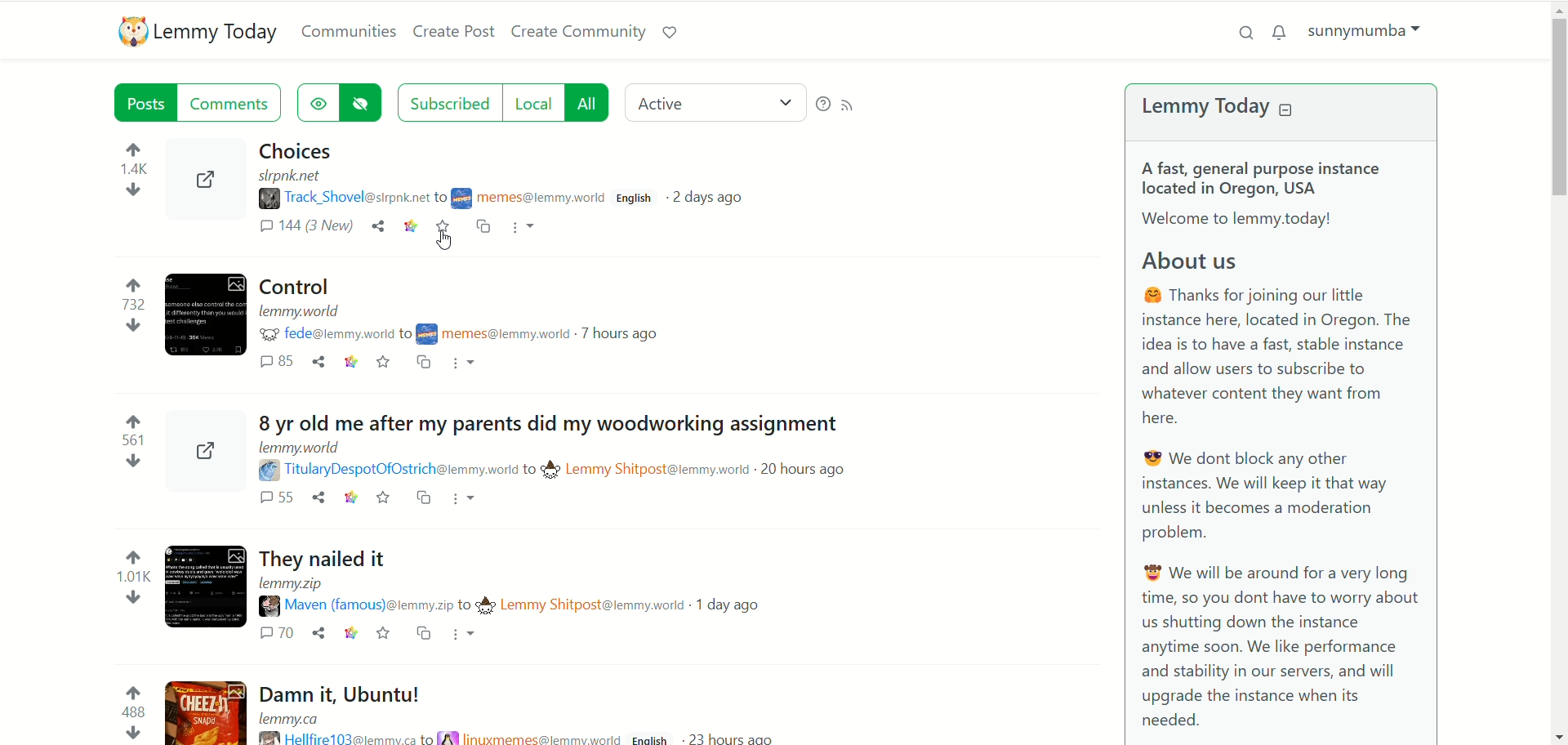  Describe the element at coordinates (653, 738) in the screenshot. I see `English` at that location.